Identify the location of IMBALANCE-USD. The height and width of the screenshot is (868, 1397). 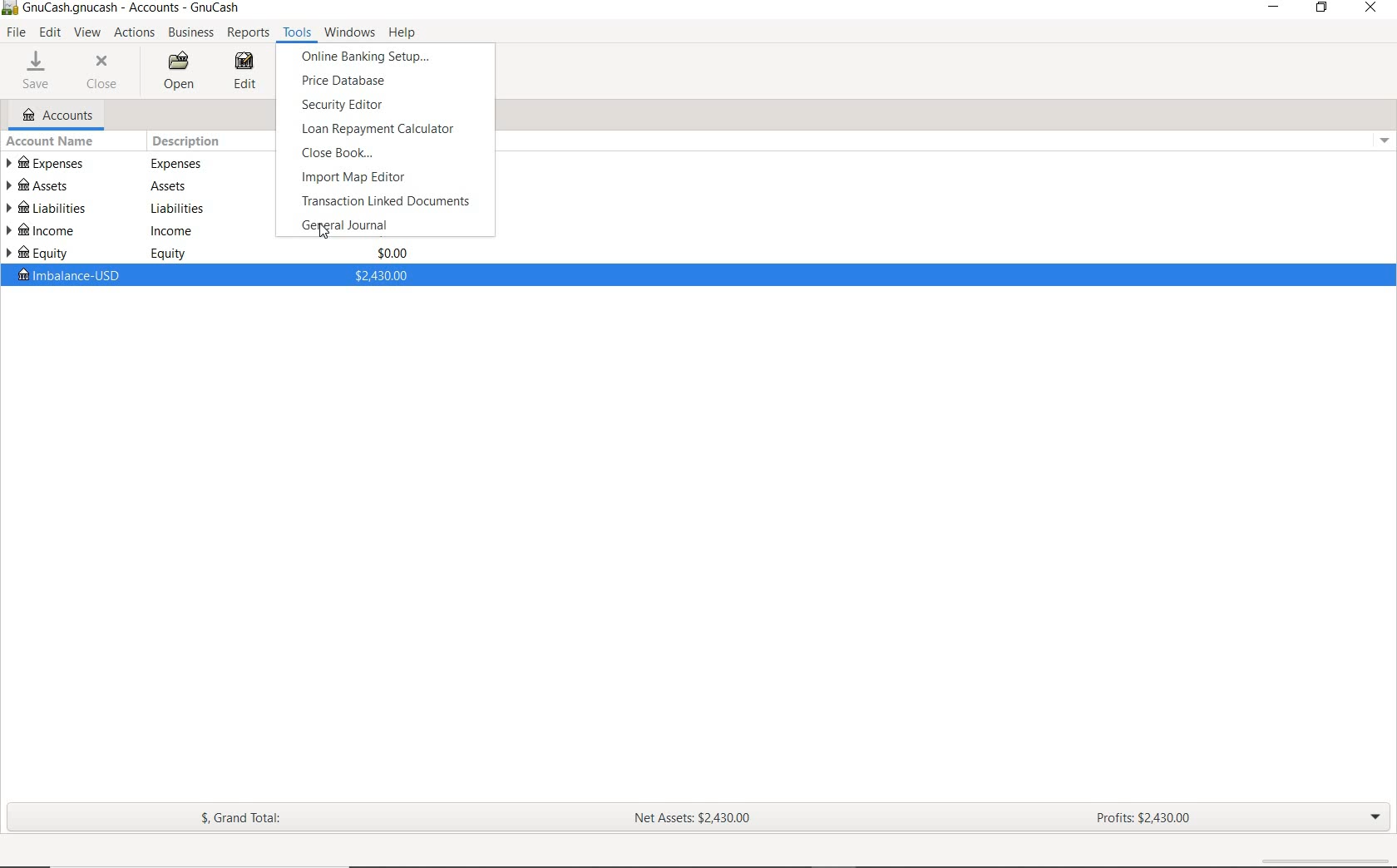
(67, 275).